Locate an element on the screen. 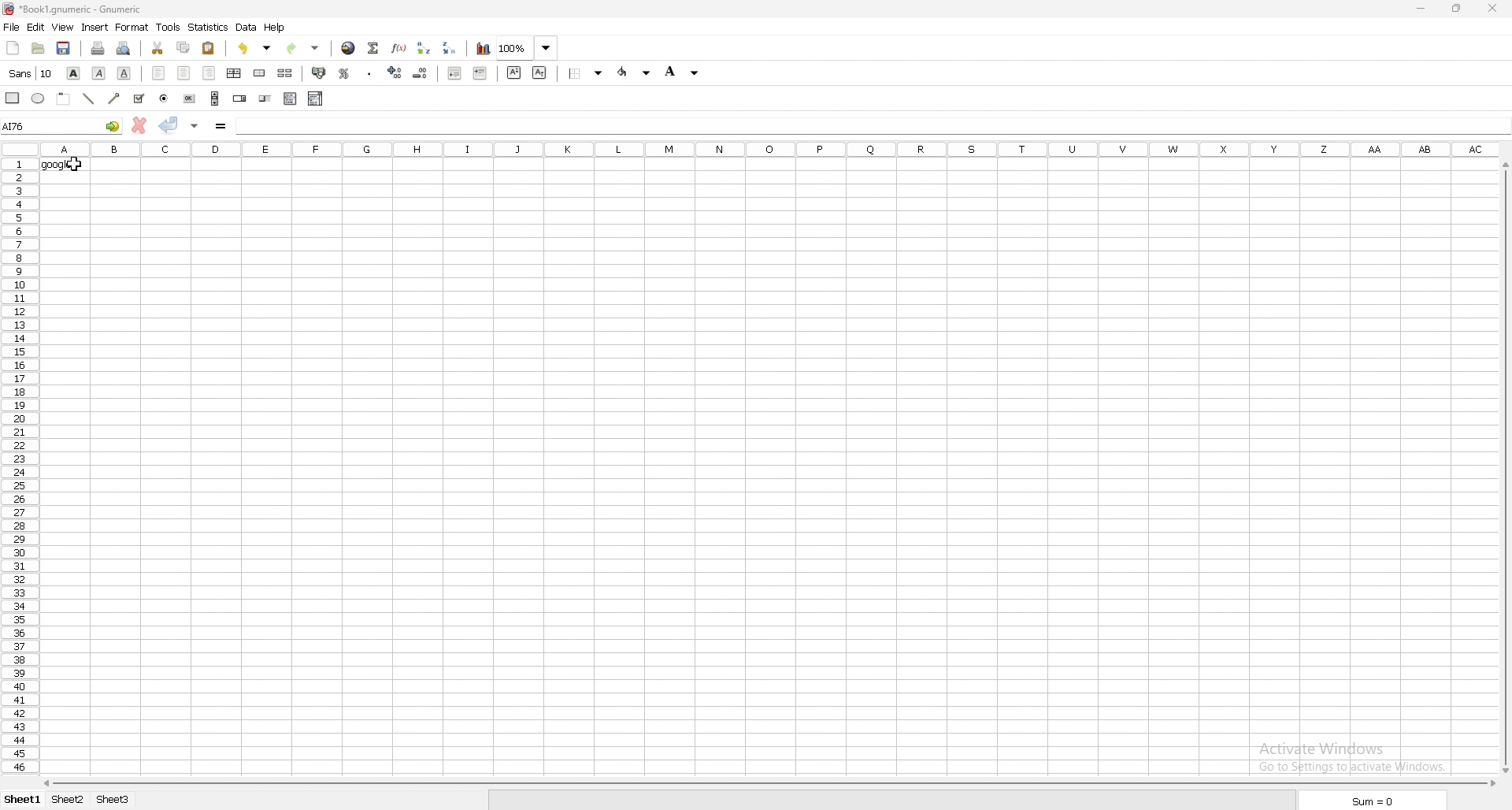 This screenshot has height=810, width=1512. increase indent is located at coordinates (480, 72).